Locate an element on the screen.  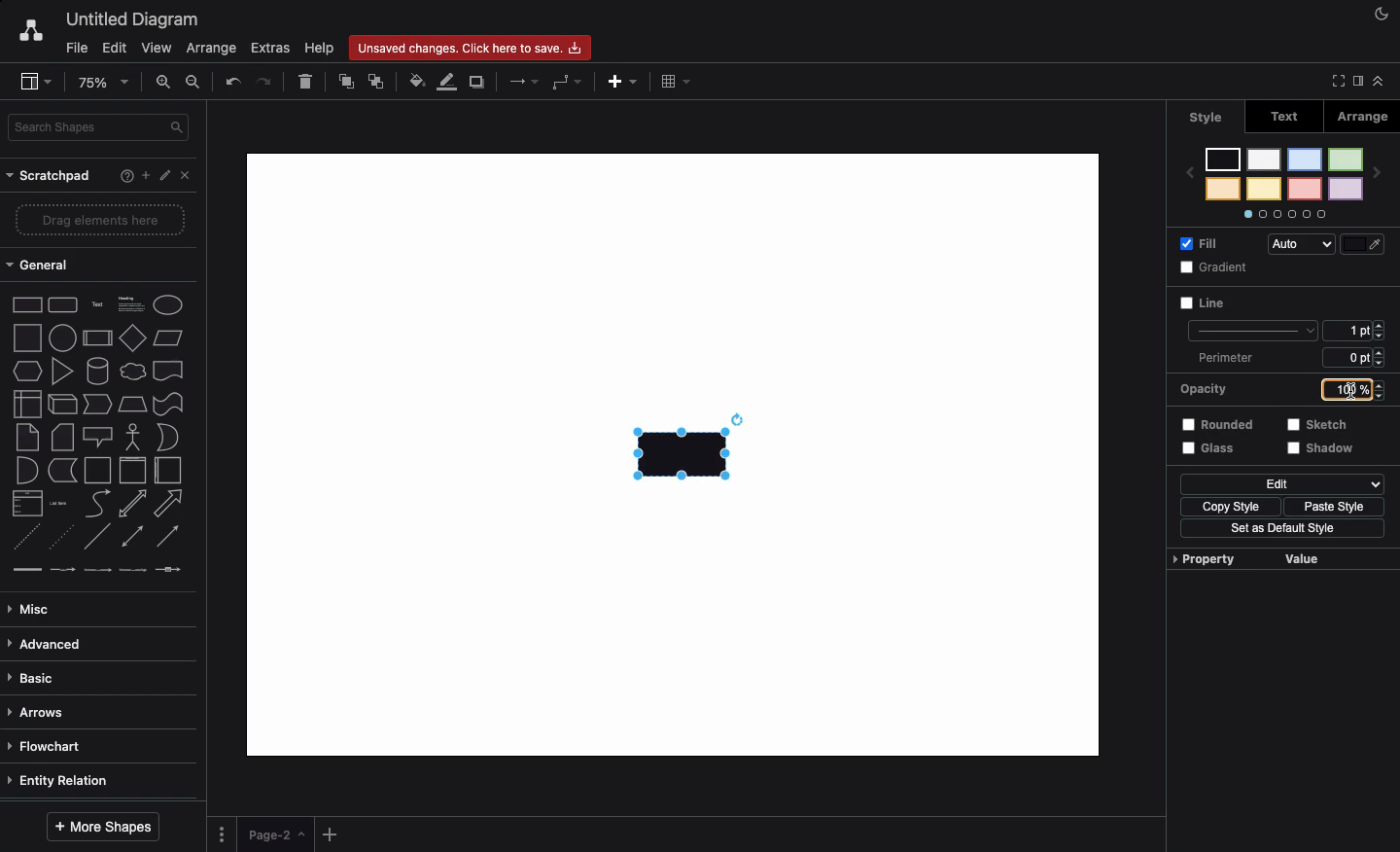
internal storage is located at coordinates (22, 405).